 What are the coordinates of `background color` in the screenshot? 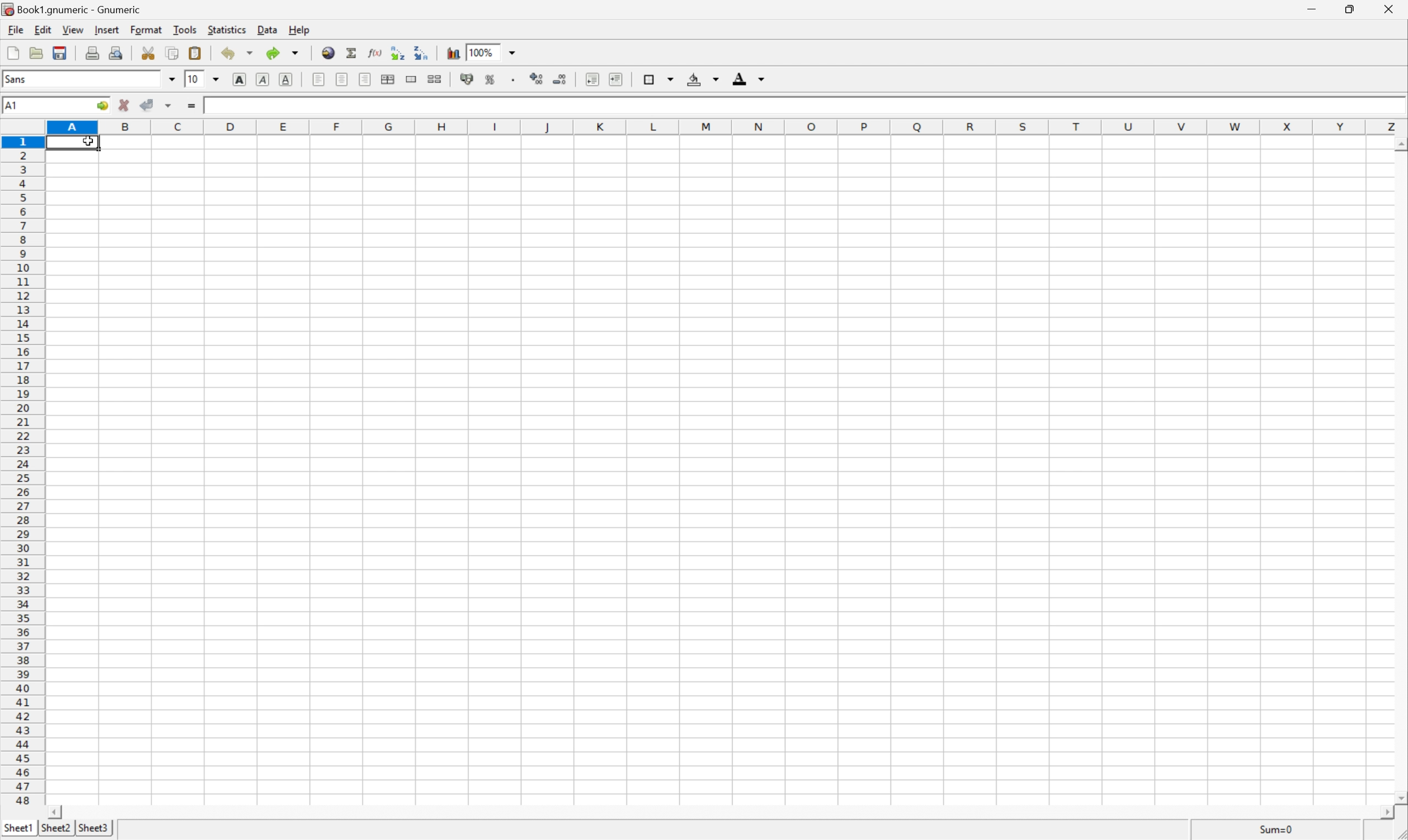 It's located at (704, 78).